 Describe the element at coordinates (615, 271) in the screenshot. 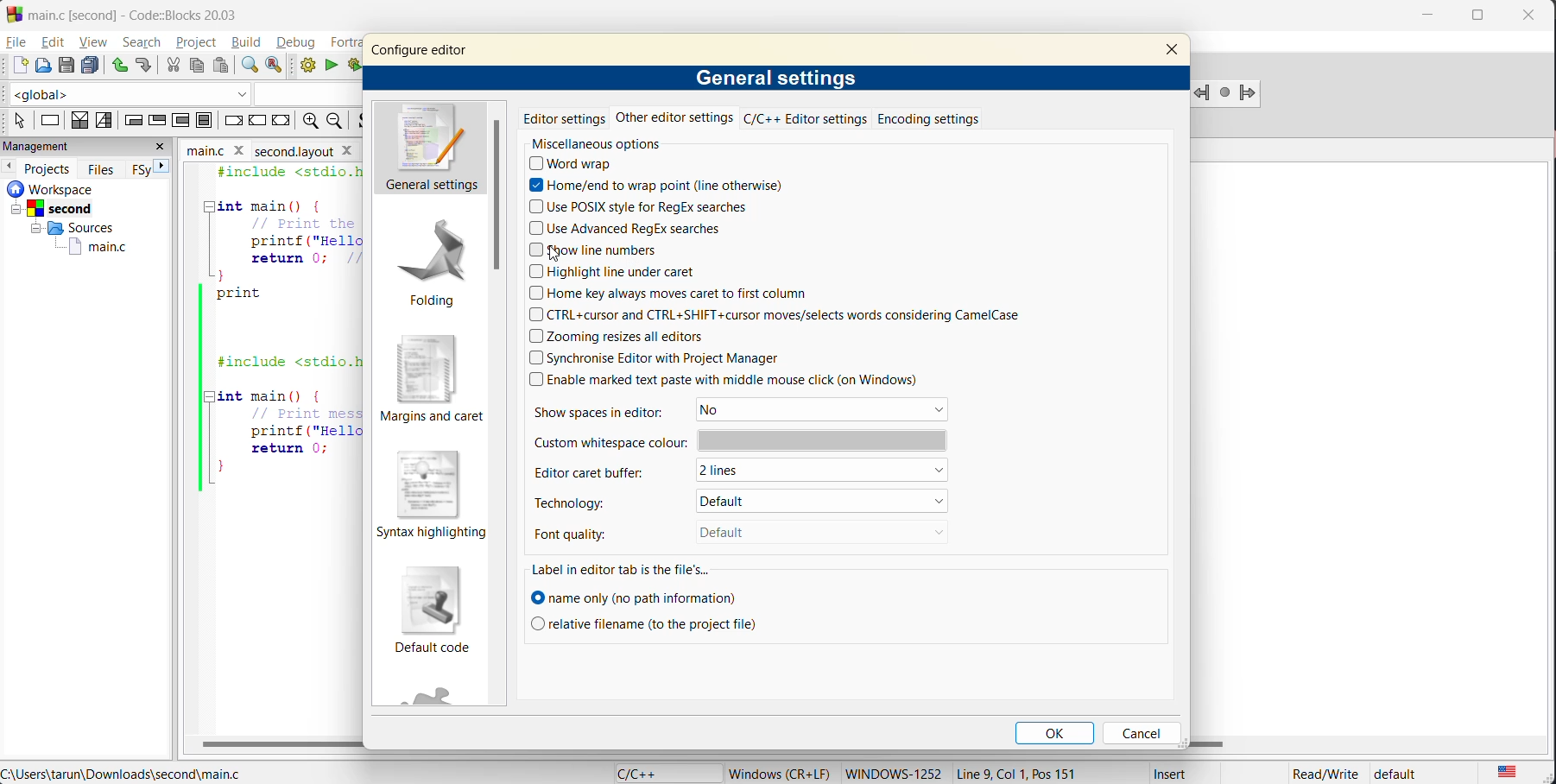

I see `highlight line under caret` at that location.